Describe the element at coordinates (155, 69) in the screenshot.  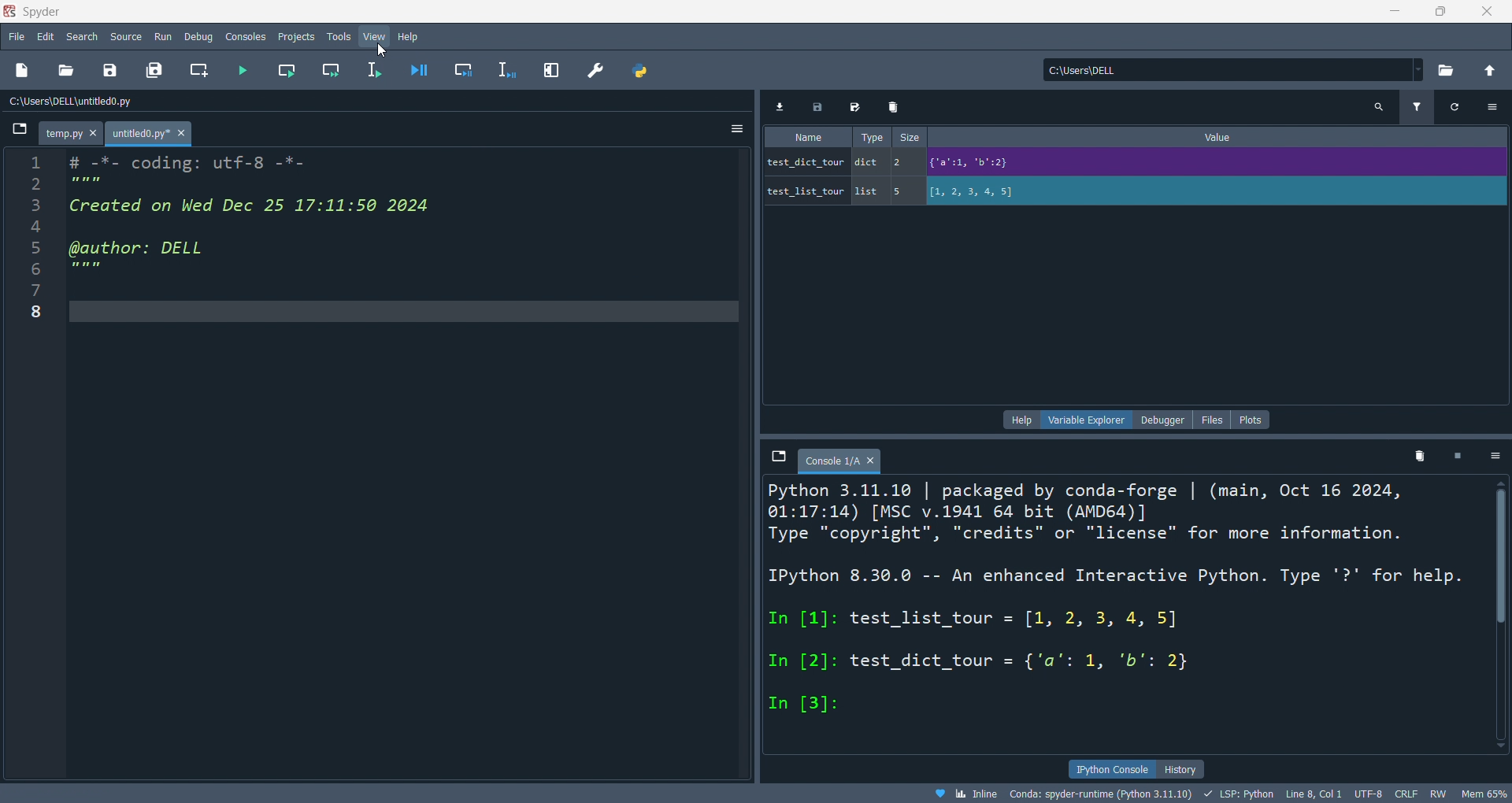
I see `save all` at that location.